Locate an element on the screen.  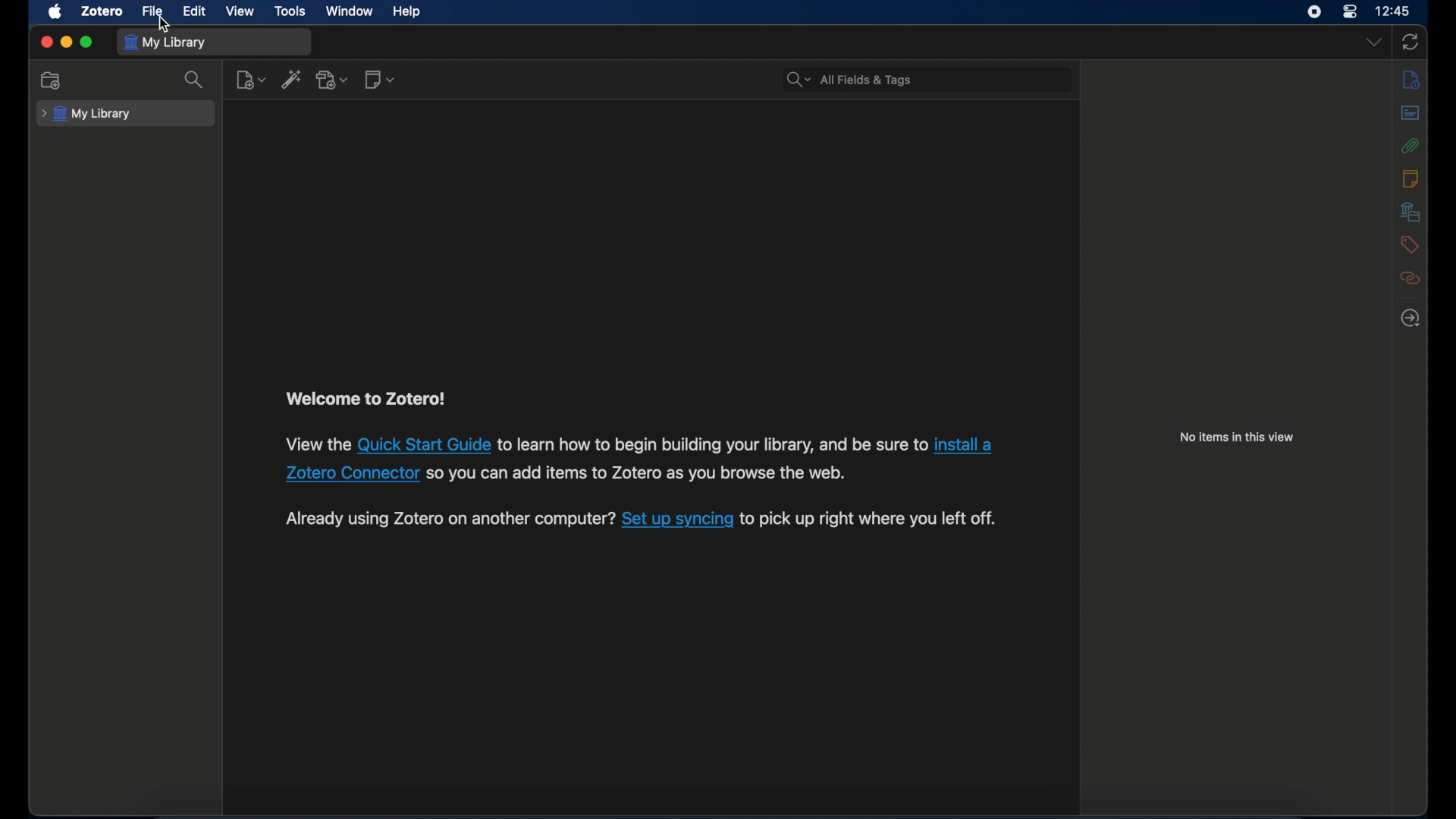
locate is located at coordinates (1411, 318).